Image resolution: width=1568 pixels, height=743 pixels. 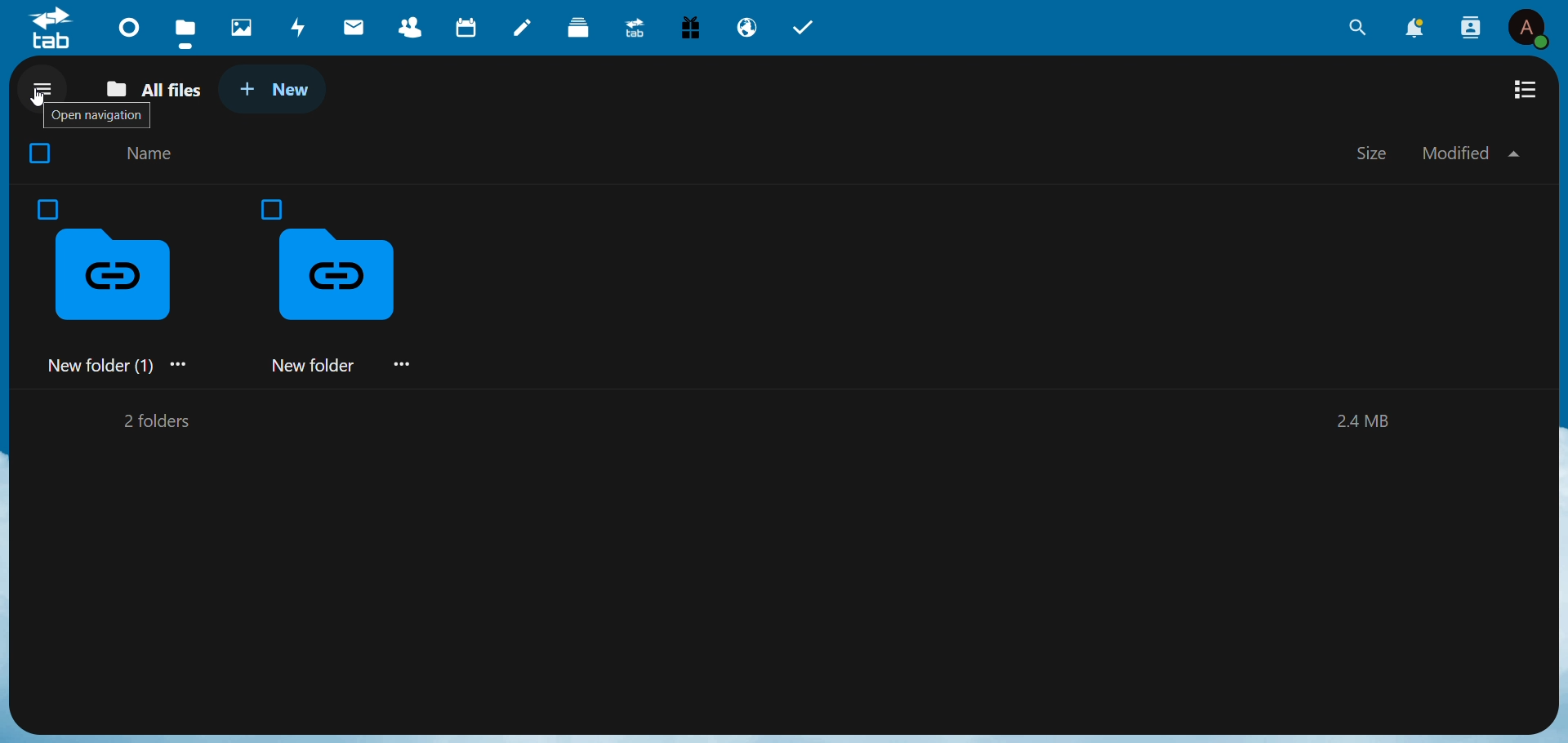 What do you see at coordinates (158, 88) in the screenshot?
I see `all files` at bounding box center [158, 88].